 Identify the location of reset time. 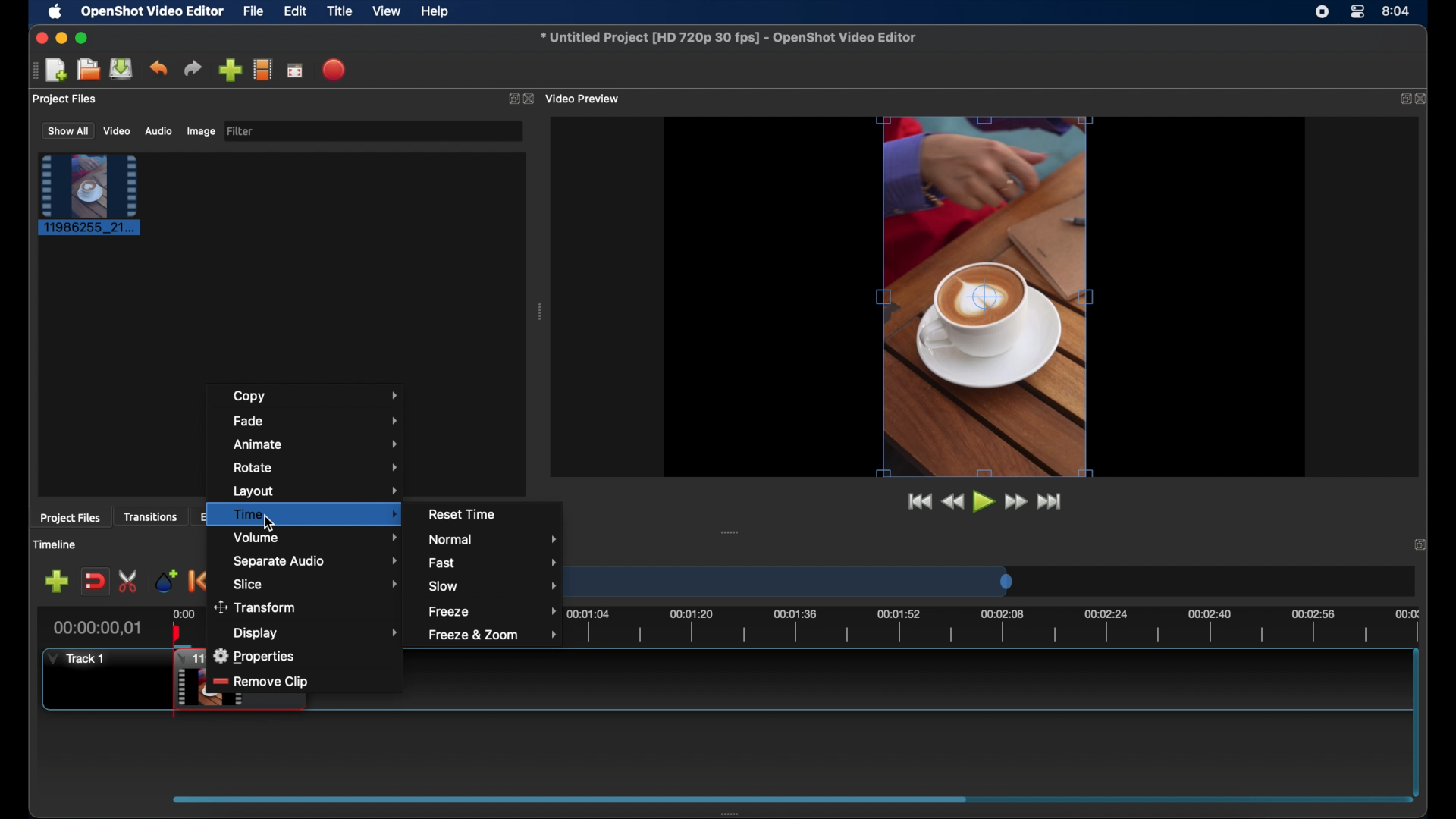
(464, 513).